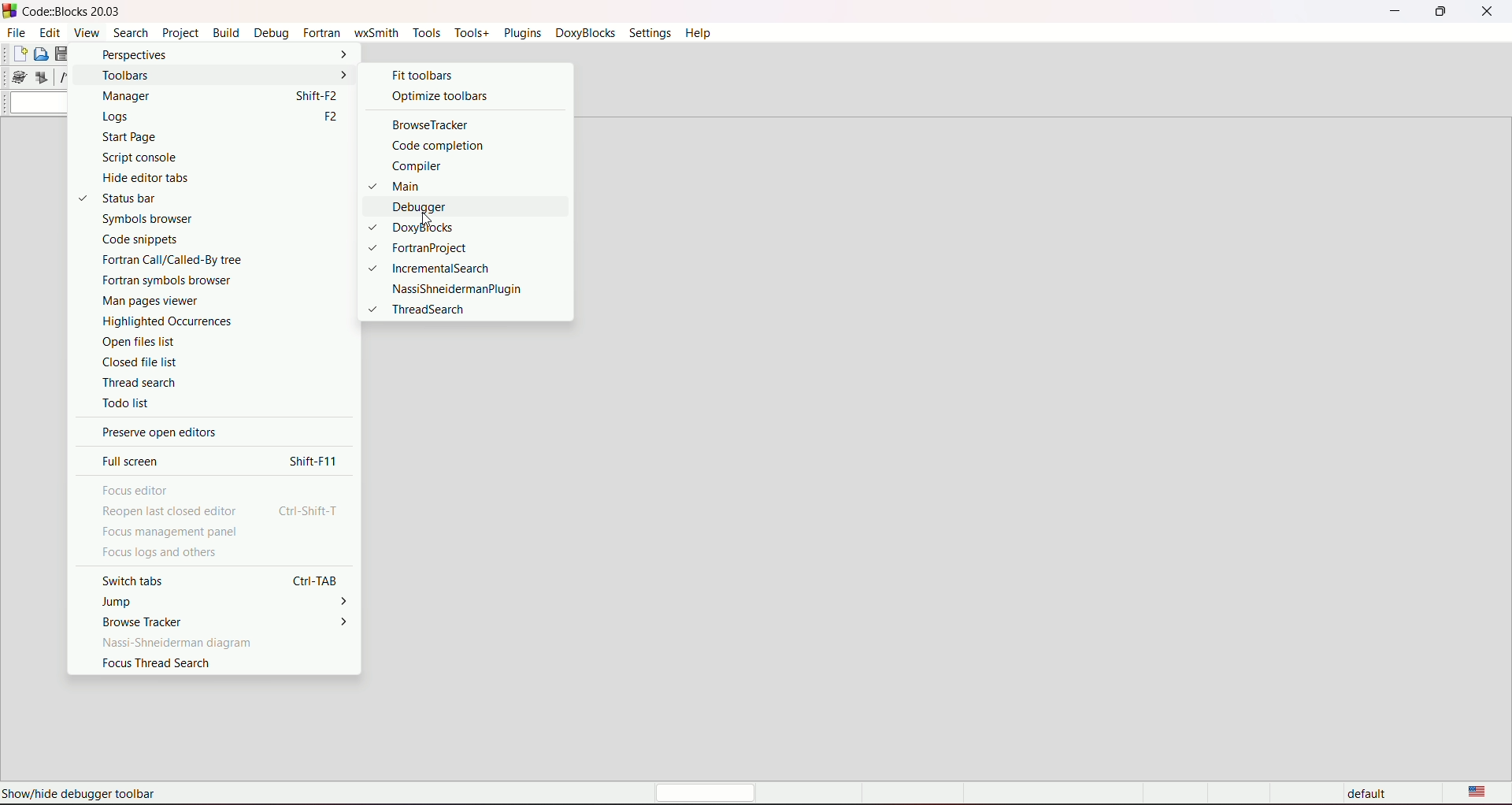 This screenshot has width=1512, height=805. I want to click on preserve open editors, so click(158, 433).